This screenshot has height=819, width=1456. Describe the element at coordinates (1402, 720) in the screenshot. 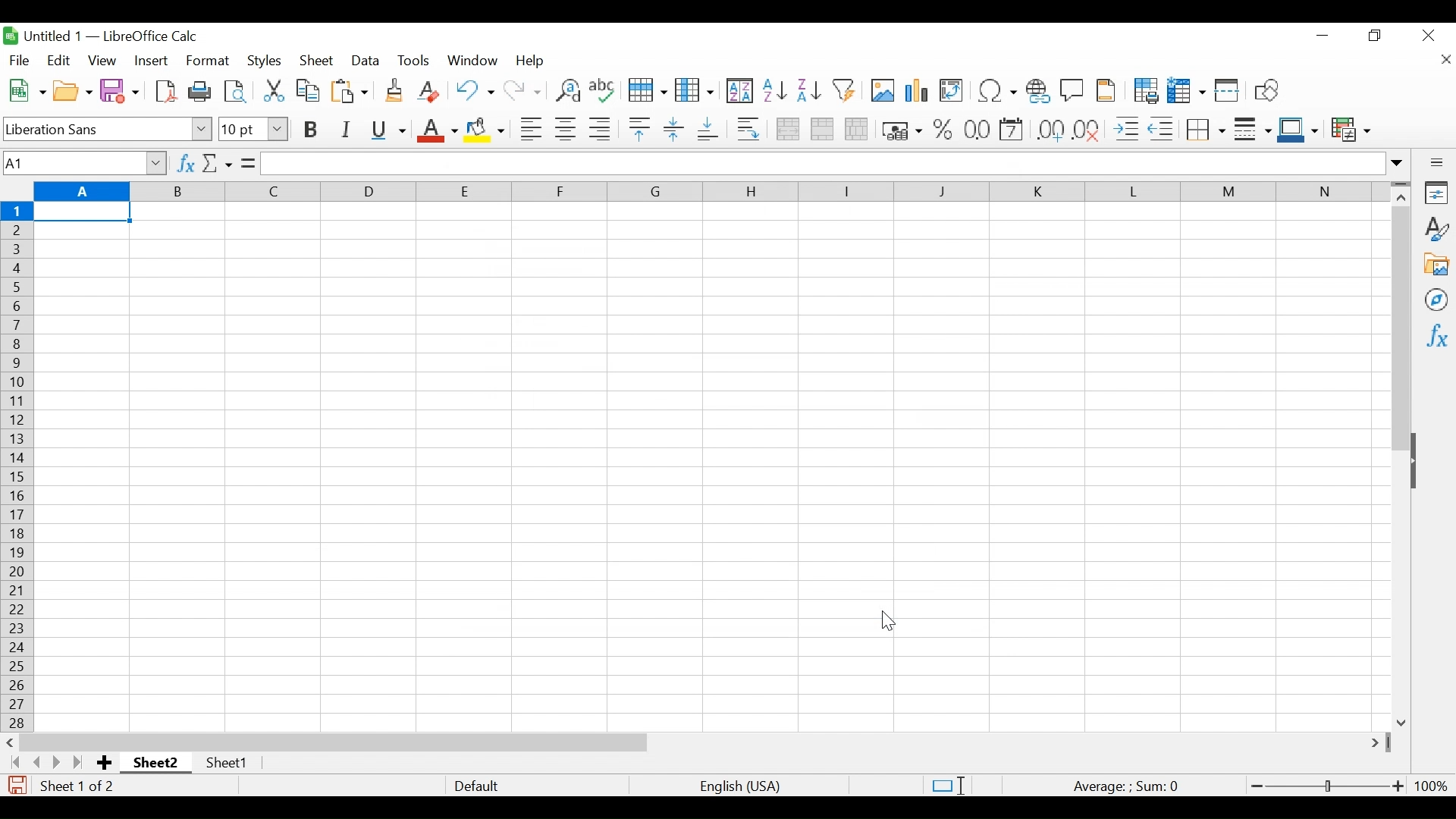

I see `Scroll down` at that location.